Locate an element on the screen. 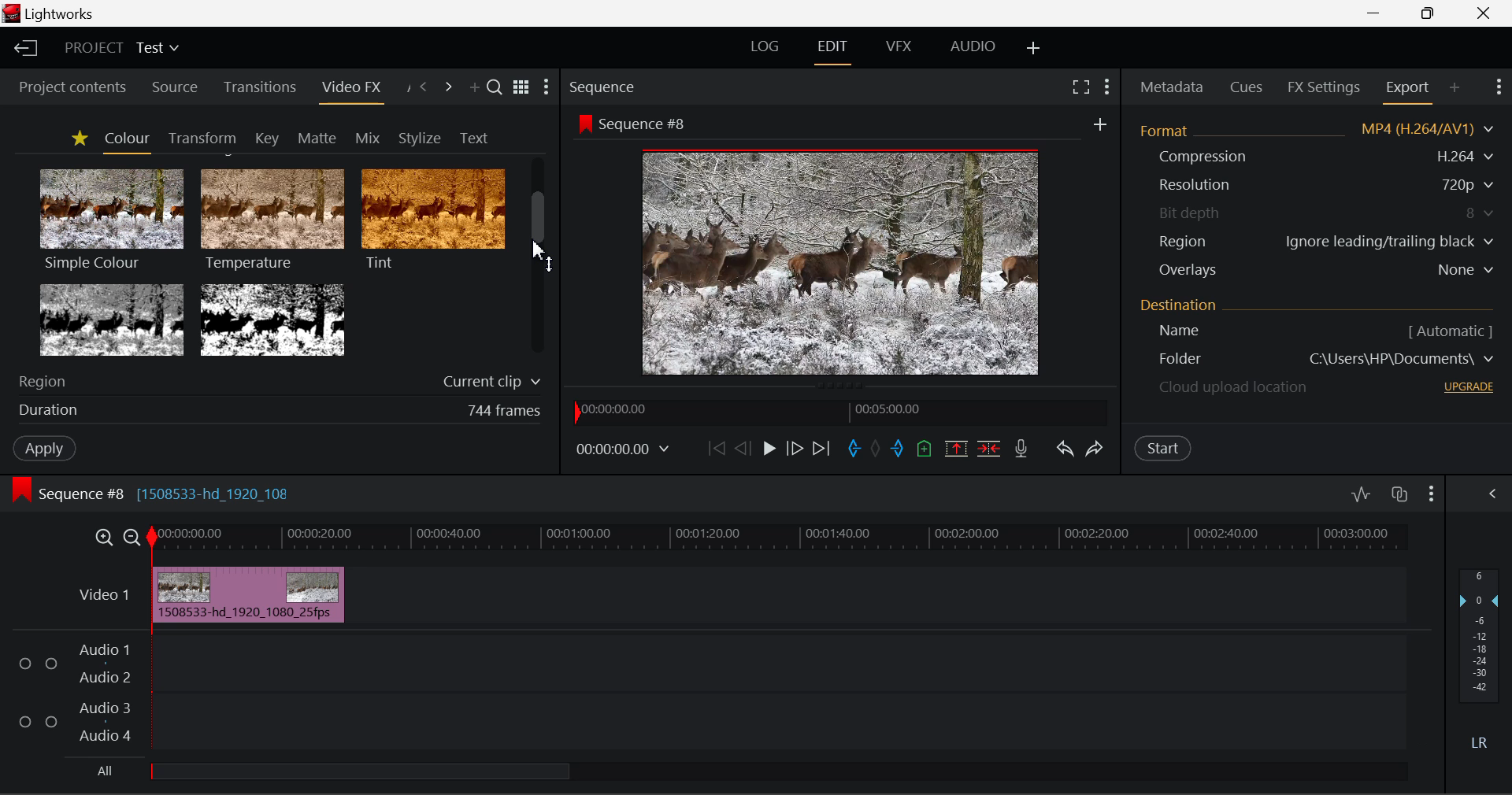 The width and height of the screenshot is (1512, 795). Next Panel is located at coordinates (448, 86).